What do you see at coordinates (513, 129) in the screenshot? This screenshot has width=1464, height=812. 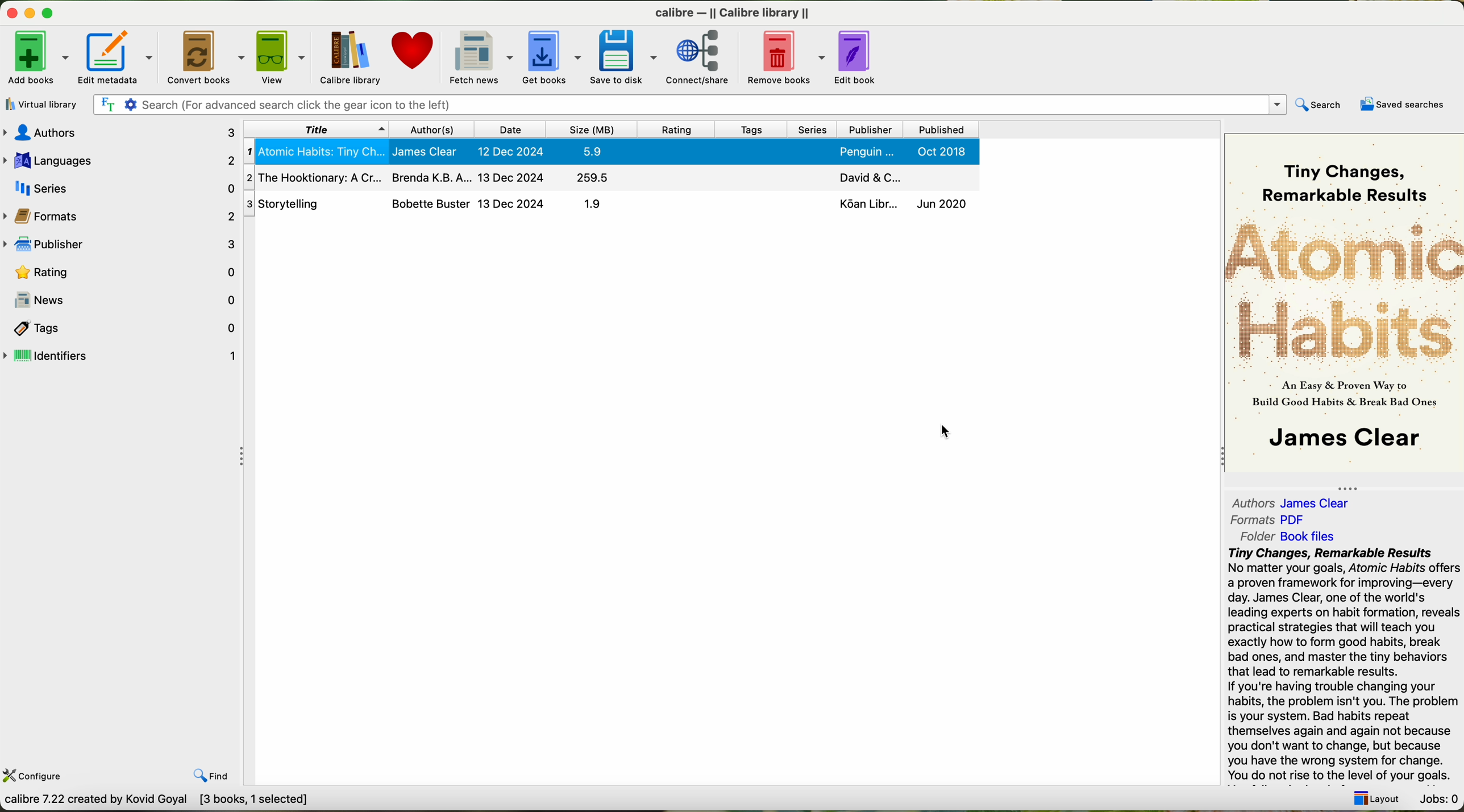 I see `date` at bounding box center [513, 129].